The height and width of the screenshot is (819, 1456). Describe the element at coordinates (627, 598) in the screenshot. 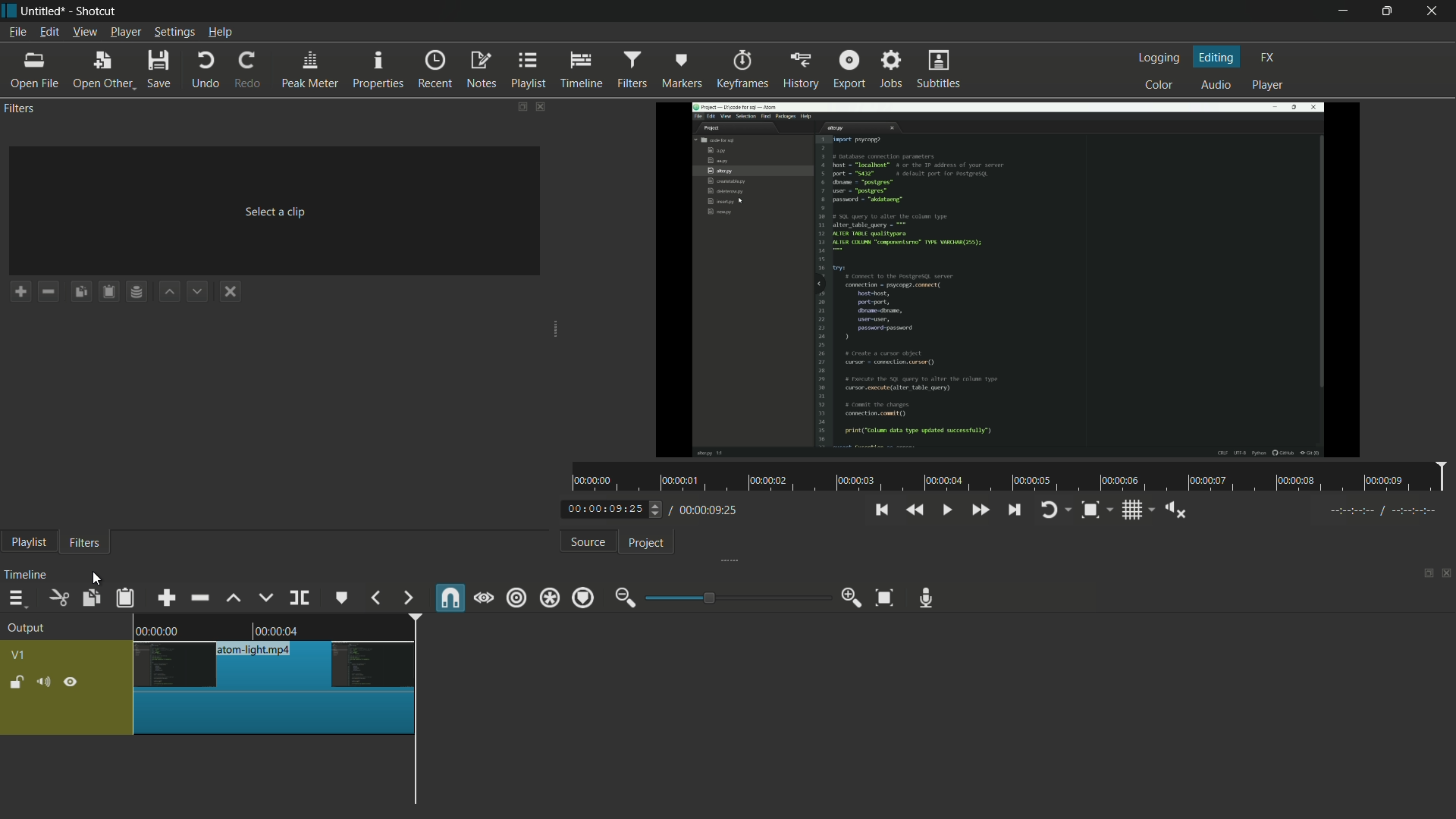

I see `zoom out` at that location.